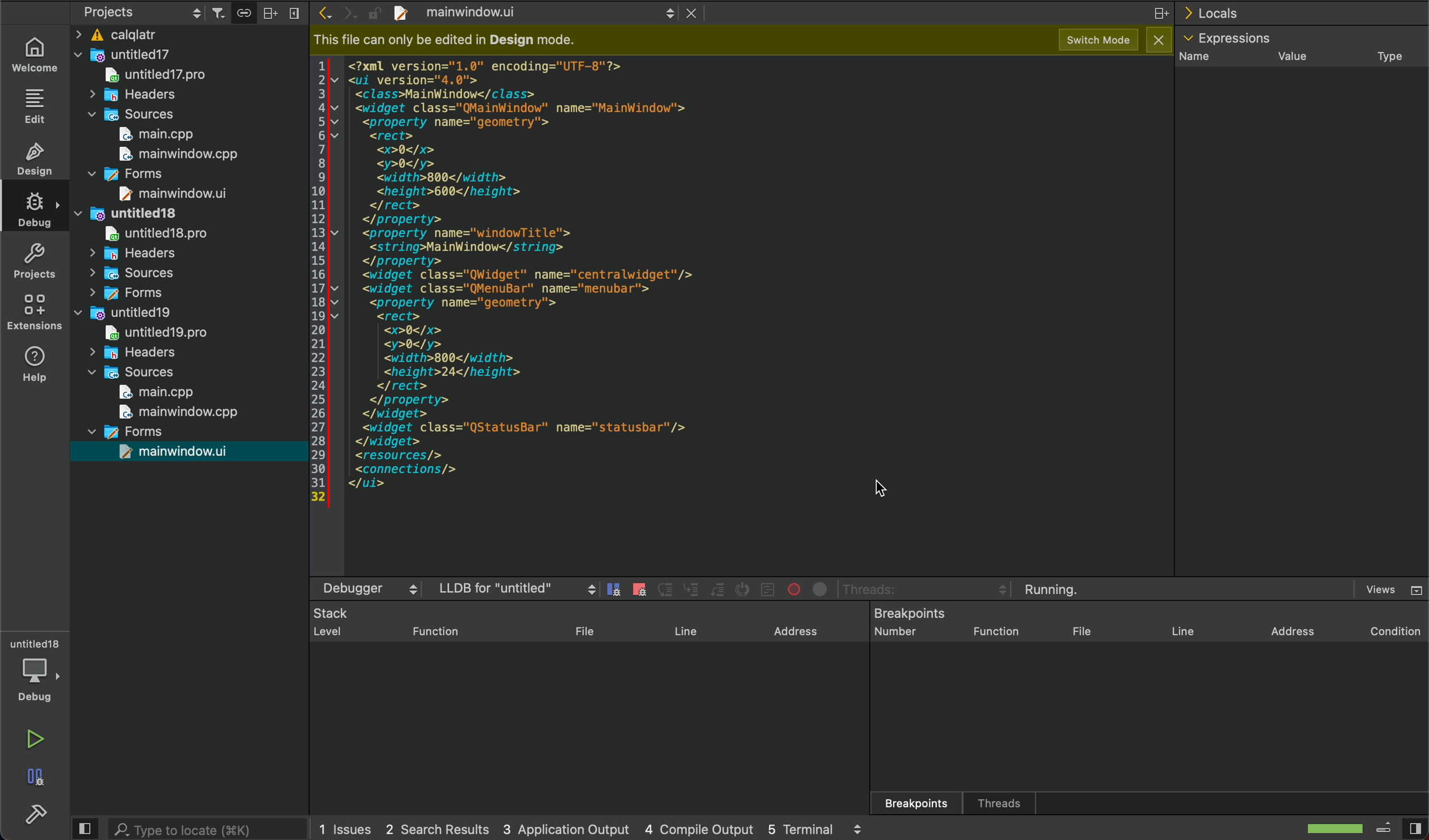 This screenshot has width=1429, height=840. What do you see at coordinates (136, 96) in the screenshot?
I see `headers` at bounding box center [136, 96].